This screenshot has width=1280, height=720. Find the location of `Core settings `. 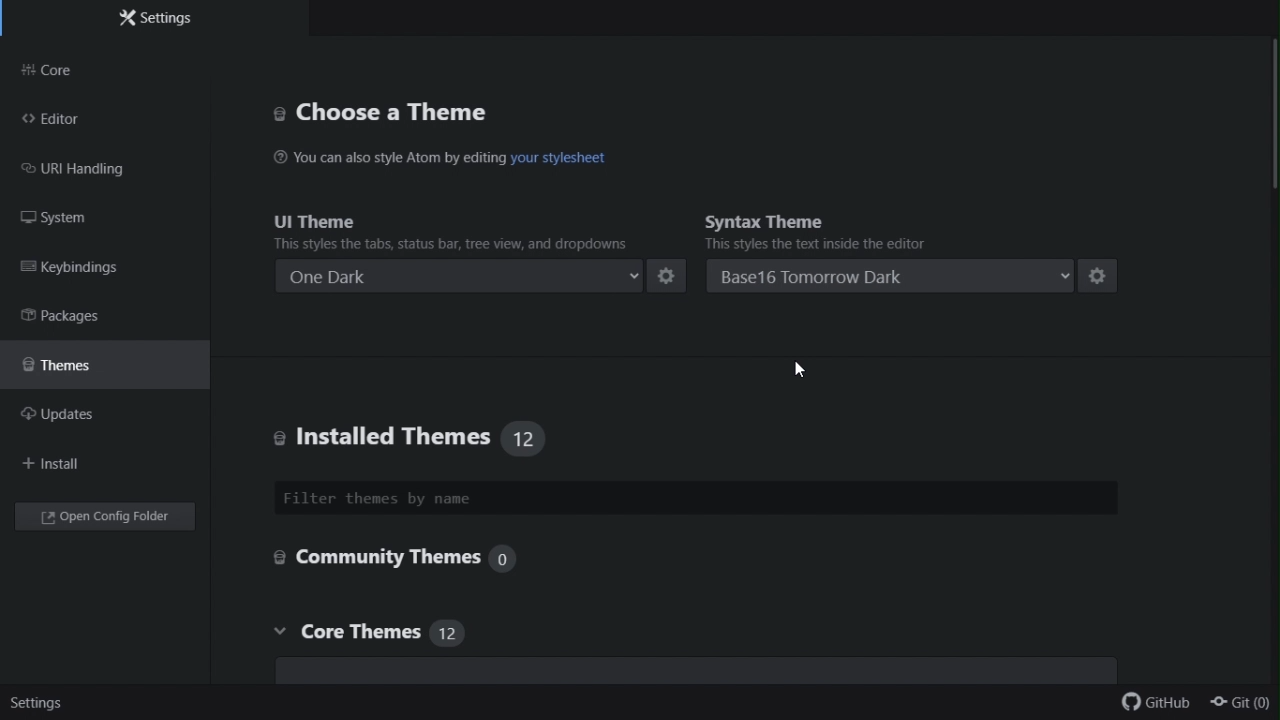

Core settings  is located at coordinates (407, 559).